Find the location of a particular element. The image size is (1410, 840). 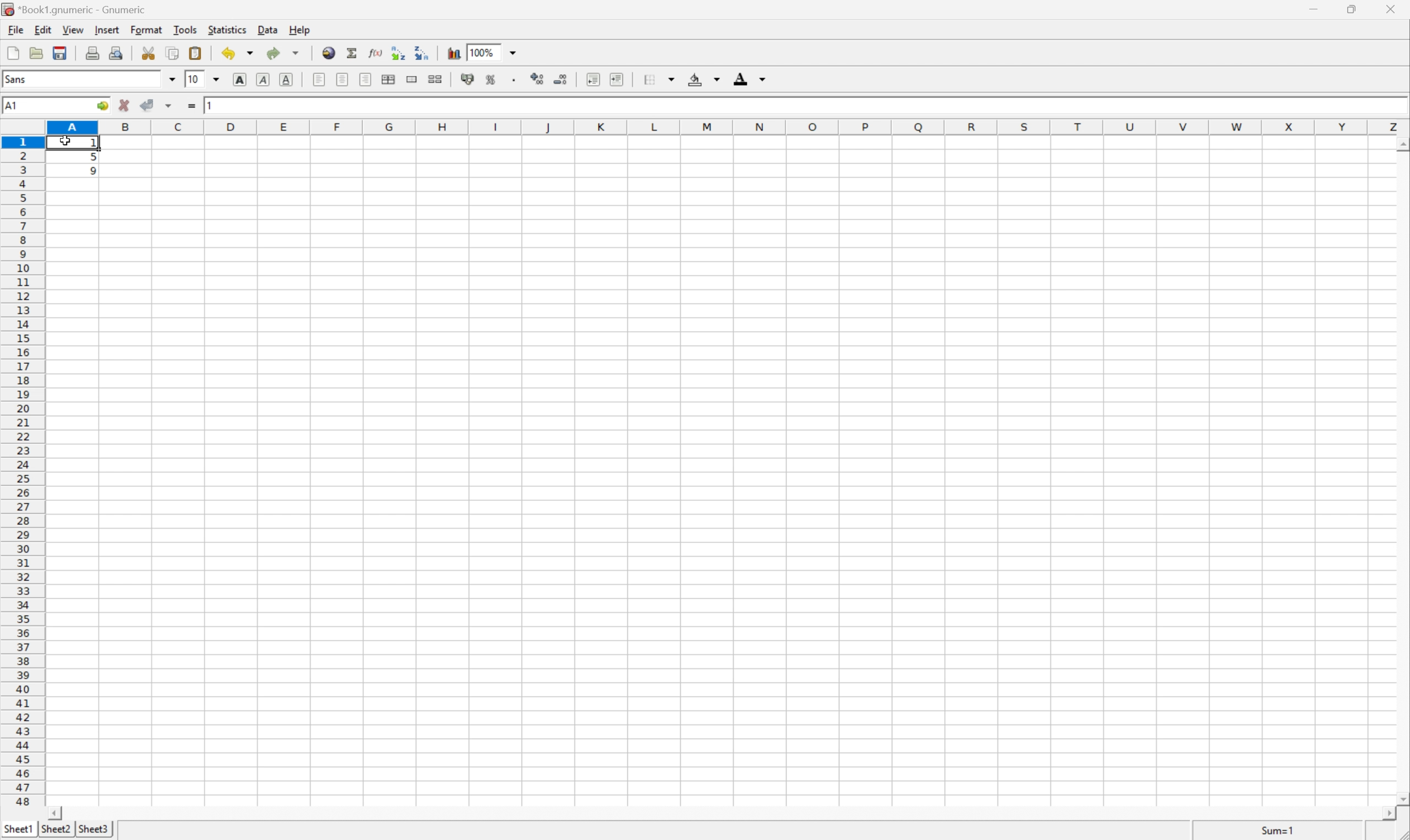

format selection as percentage is located at coordinates (491, 79).